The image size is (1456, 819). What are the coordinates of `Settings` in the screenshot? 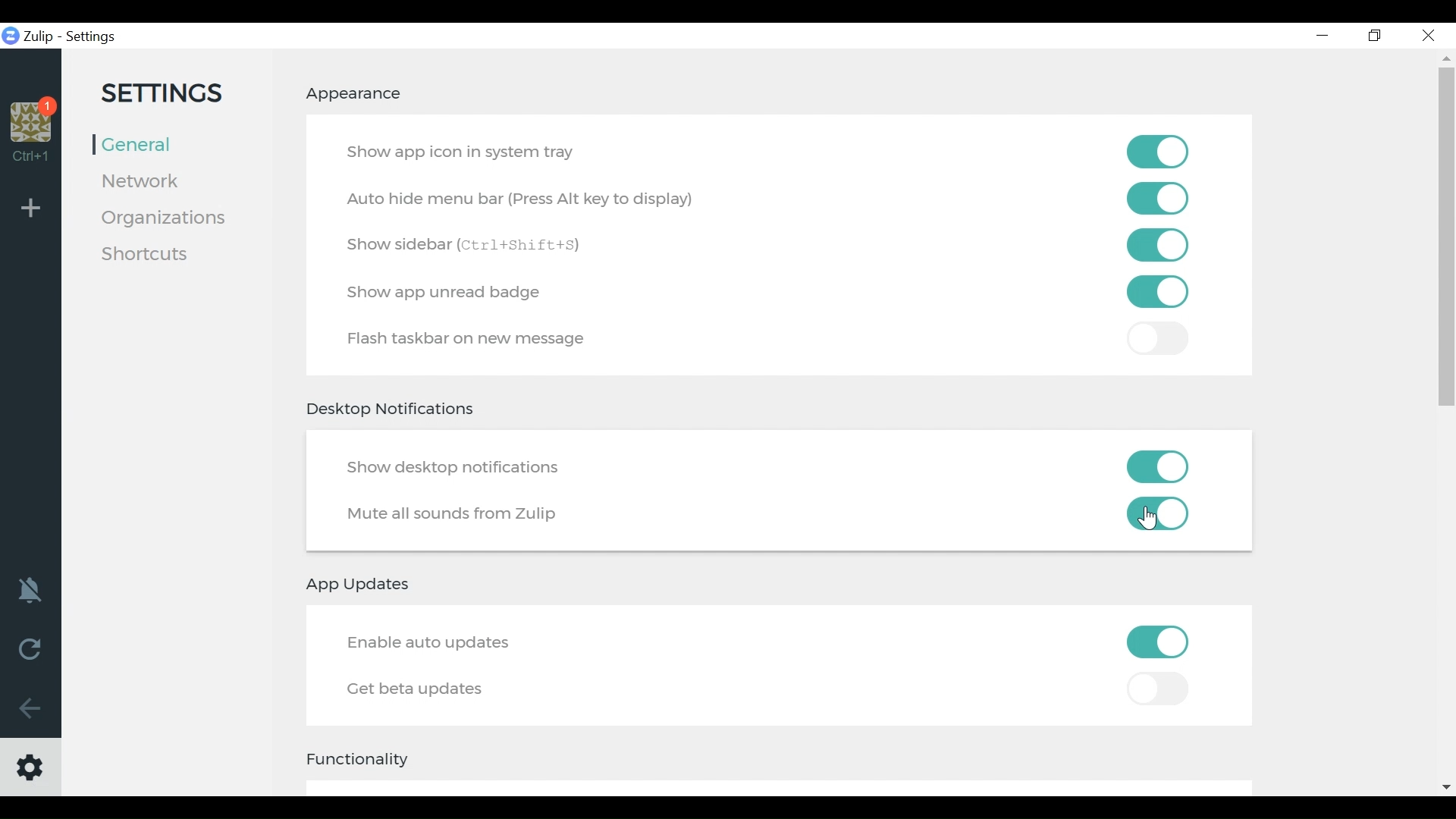 It's located at (167, 93).